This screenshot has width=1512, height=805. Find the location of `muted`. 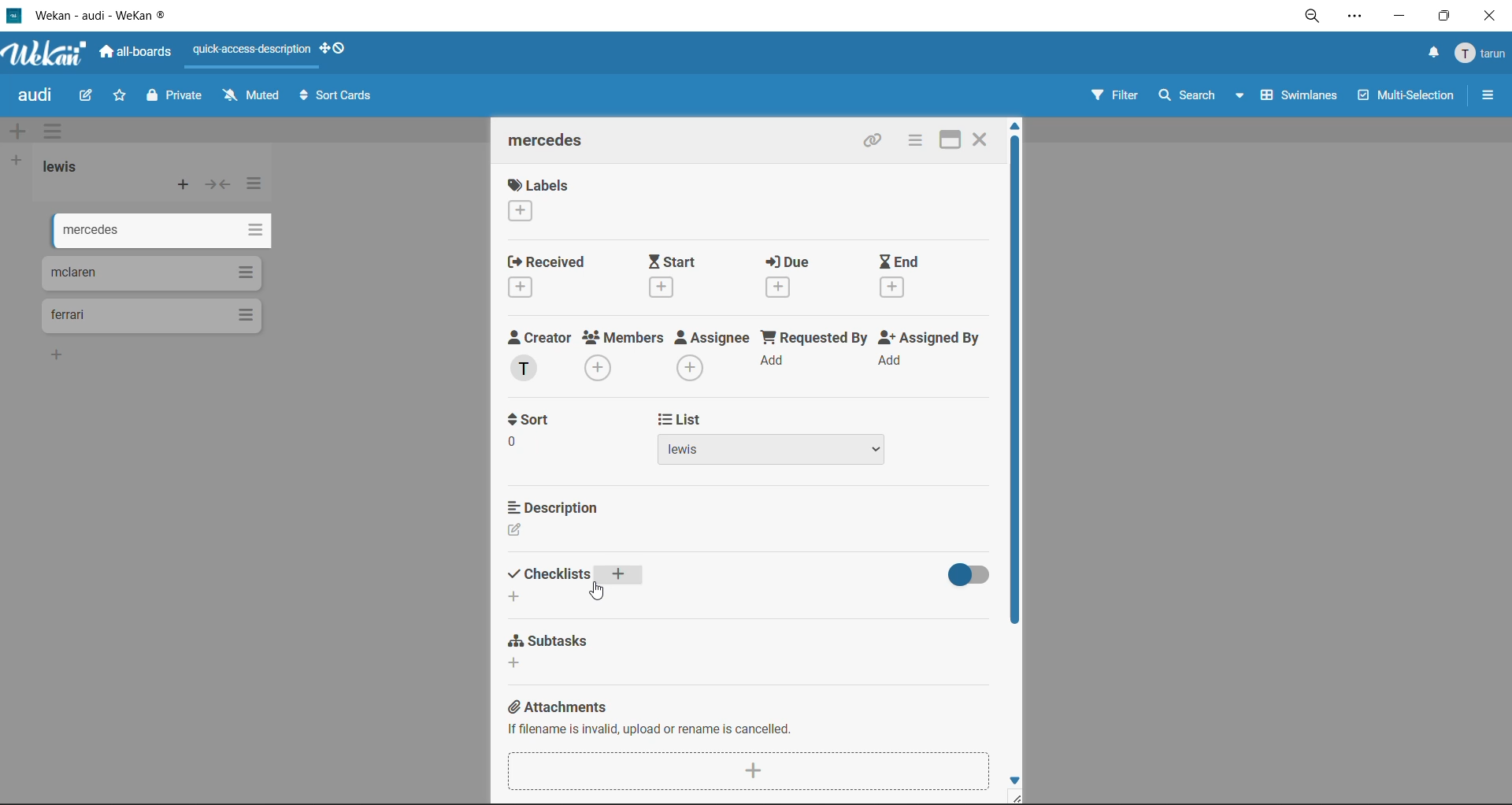

muted is located at coordinates (250, 96).